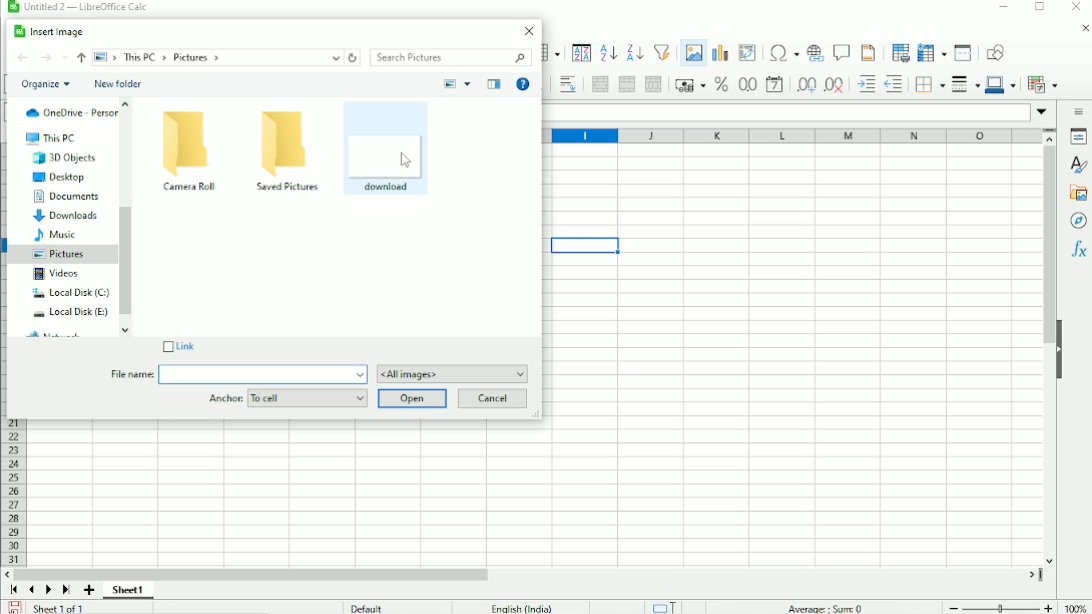 This screenshot has width=1092, height=614. Describe the element at coordinates (13, 607) in the screenshot. I see `Save` at that location.